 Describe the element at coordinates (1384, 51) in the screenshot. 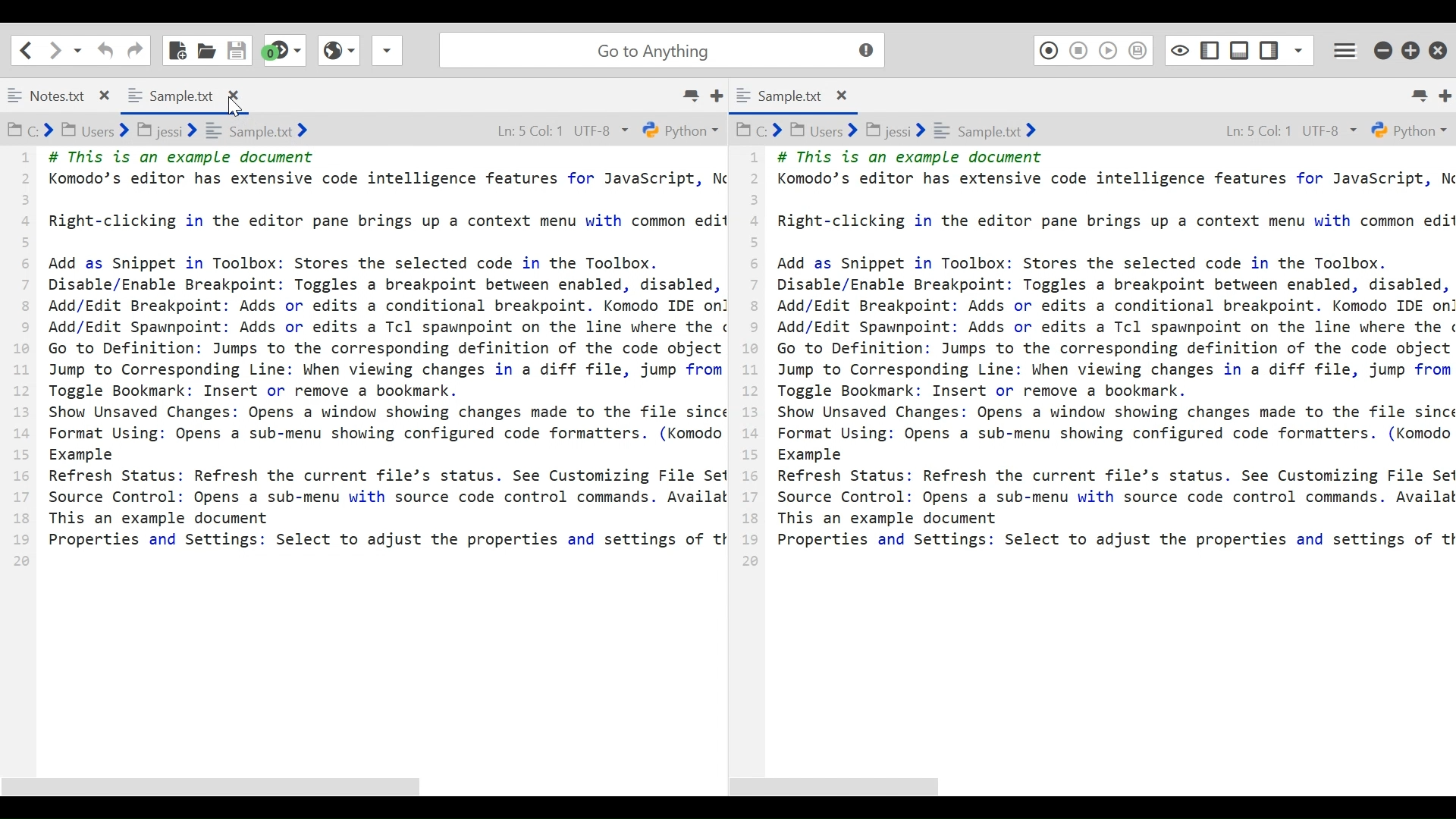

I see `minimize` at that location.